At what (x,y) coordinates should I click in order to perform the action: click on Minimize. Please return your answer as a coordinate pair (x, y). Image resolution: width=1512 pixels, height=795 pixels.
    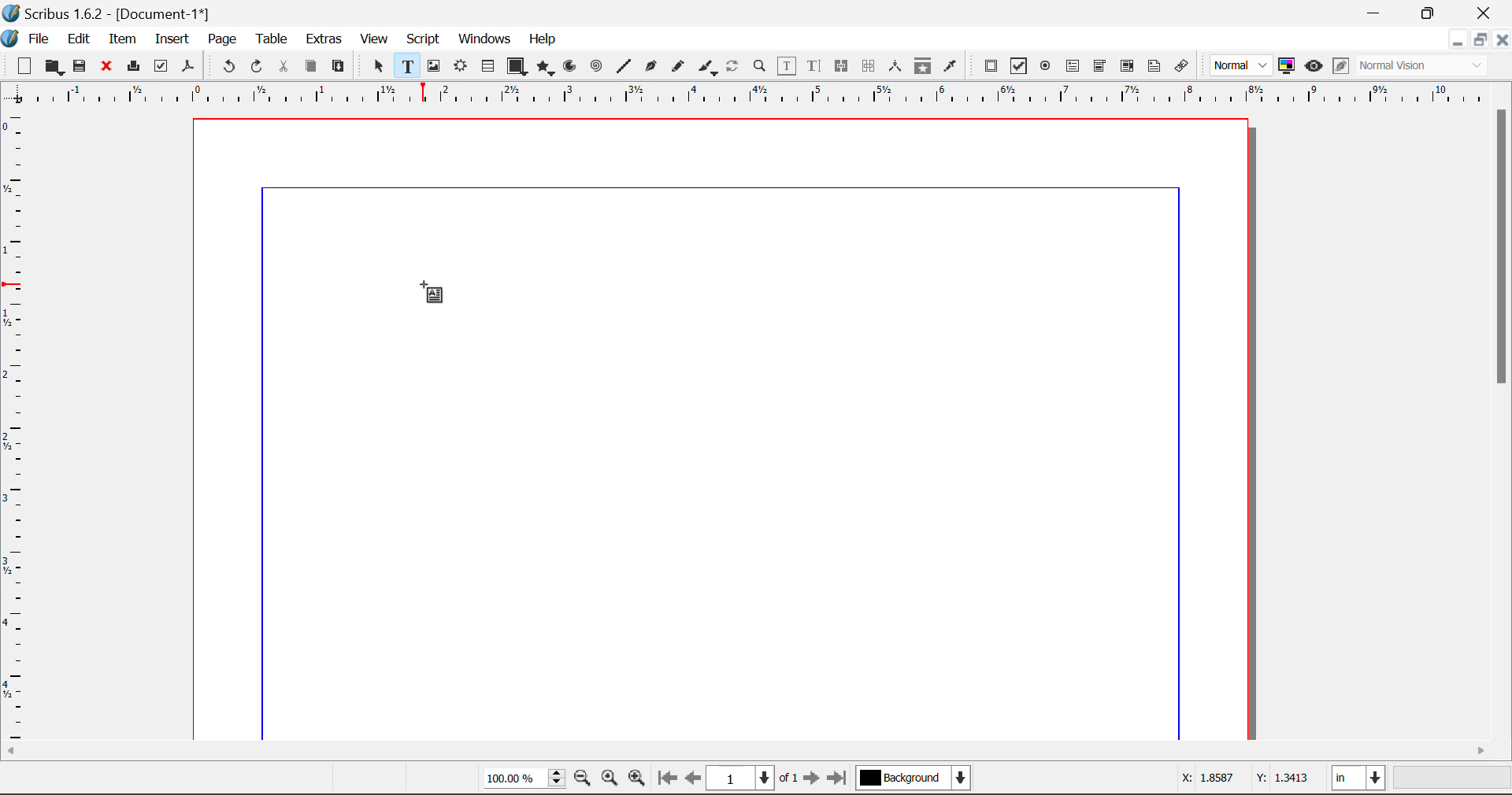
    Looking at the image, I should click on (1480, 39).